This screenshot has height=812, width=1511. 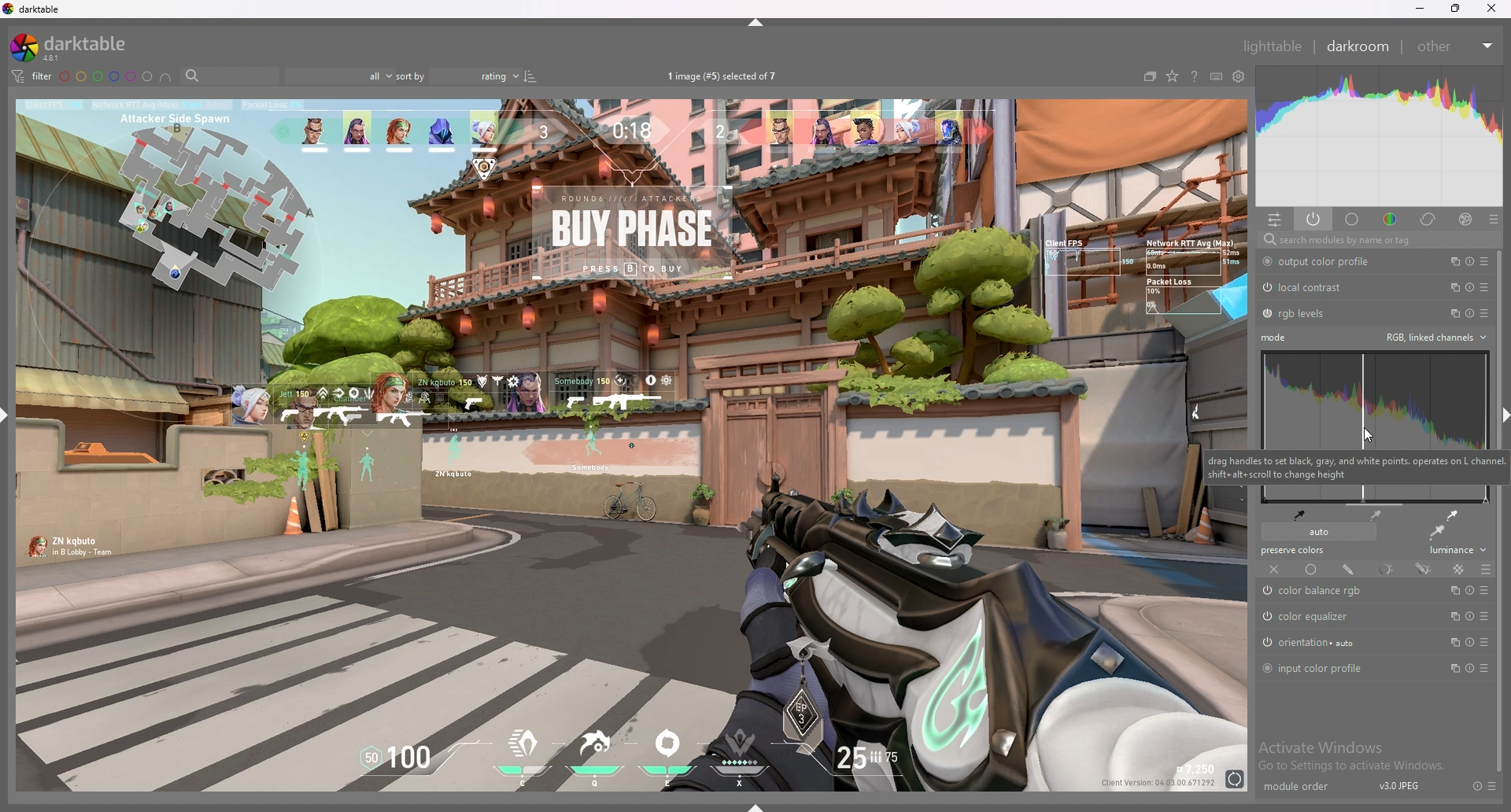 What do you see at coordinates (1321, 668) in the screenshot?
I see `input color profile` at bounding box center [1321, 668].